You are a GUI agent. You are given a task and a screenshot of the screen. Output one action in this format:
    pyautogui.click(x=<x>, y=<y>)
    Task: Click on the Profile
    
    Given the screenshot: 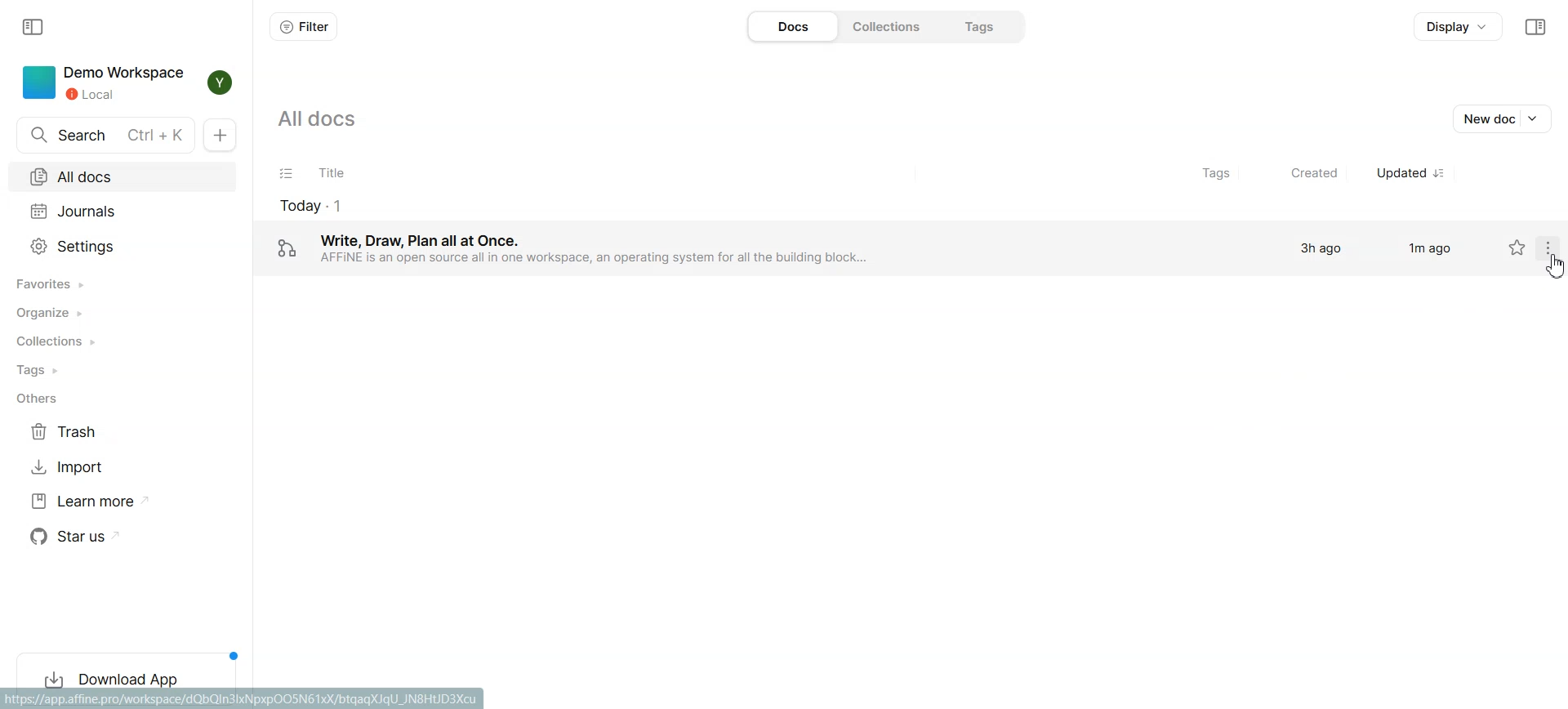 What is the action you would take?
    pyautogui.click(x=219, y=83)
    